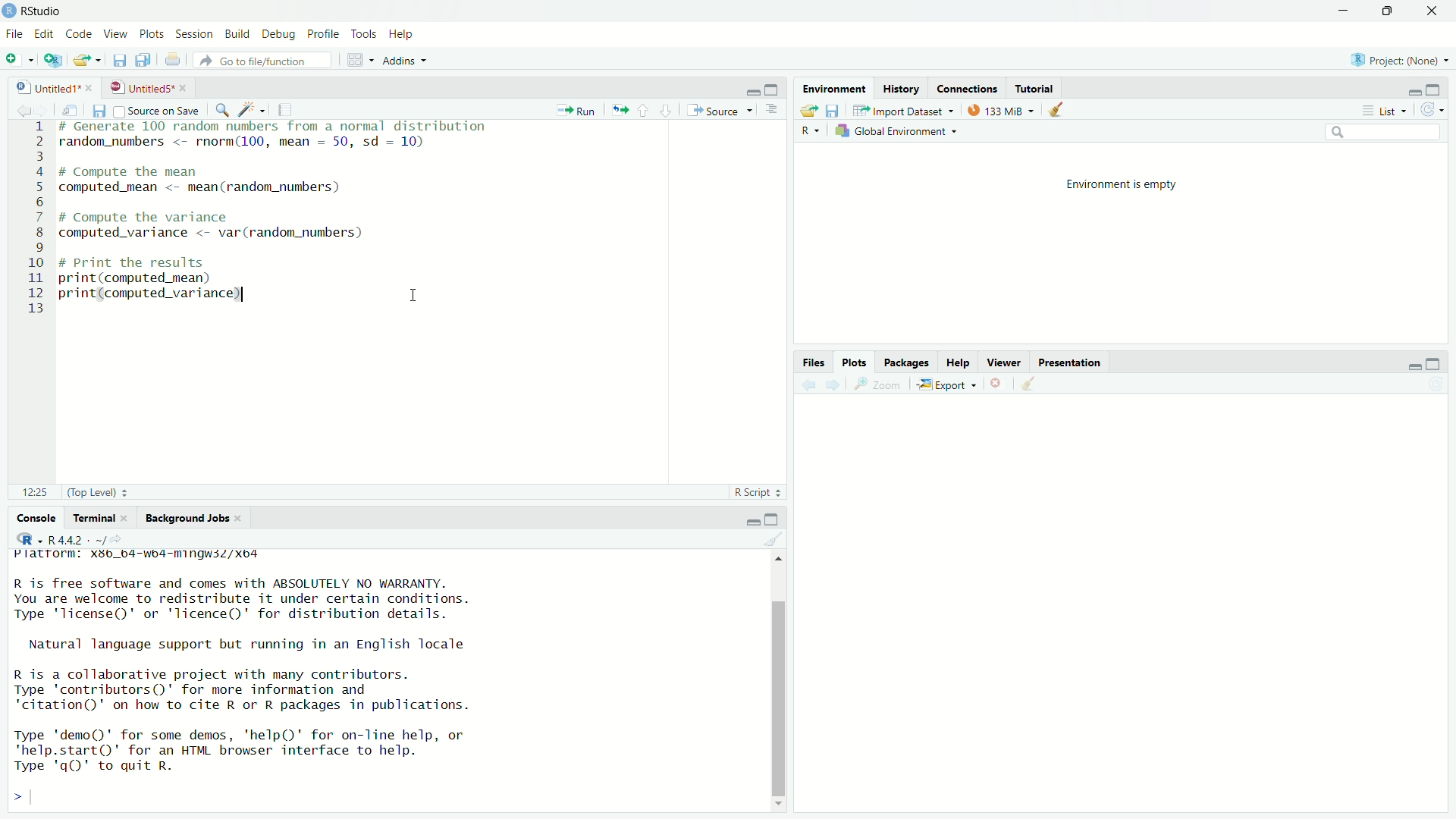 This screenshot has width=1456, height=819. I want to click on close, so click(127, 518).